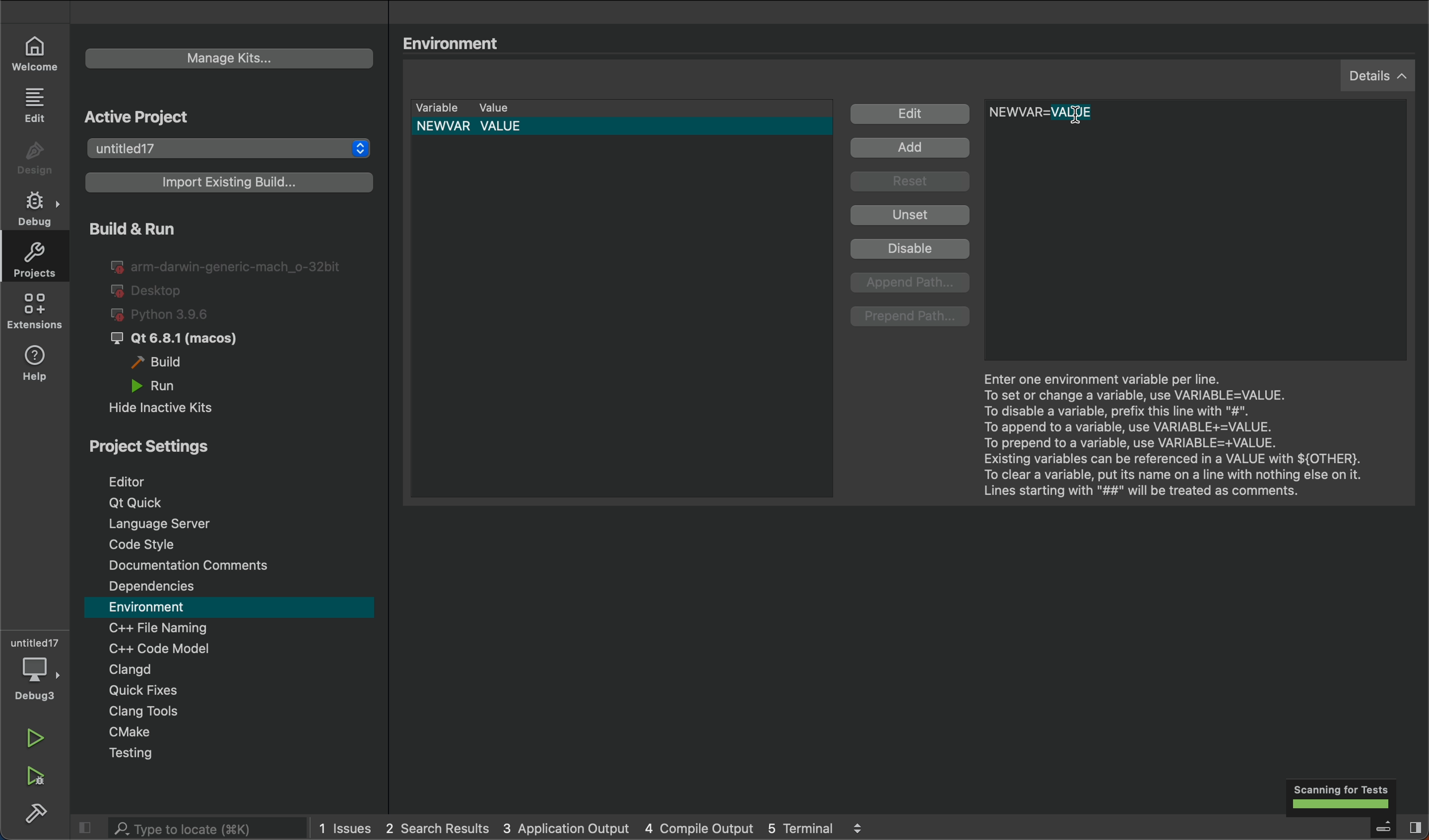 The image size is (1429, 840). I want to click on run, so click(174, 385).